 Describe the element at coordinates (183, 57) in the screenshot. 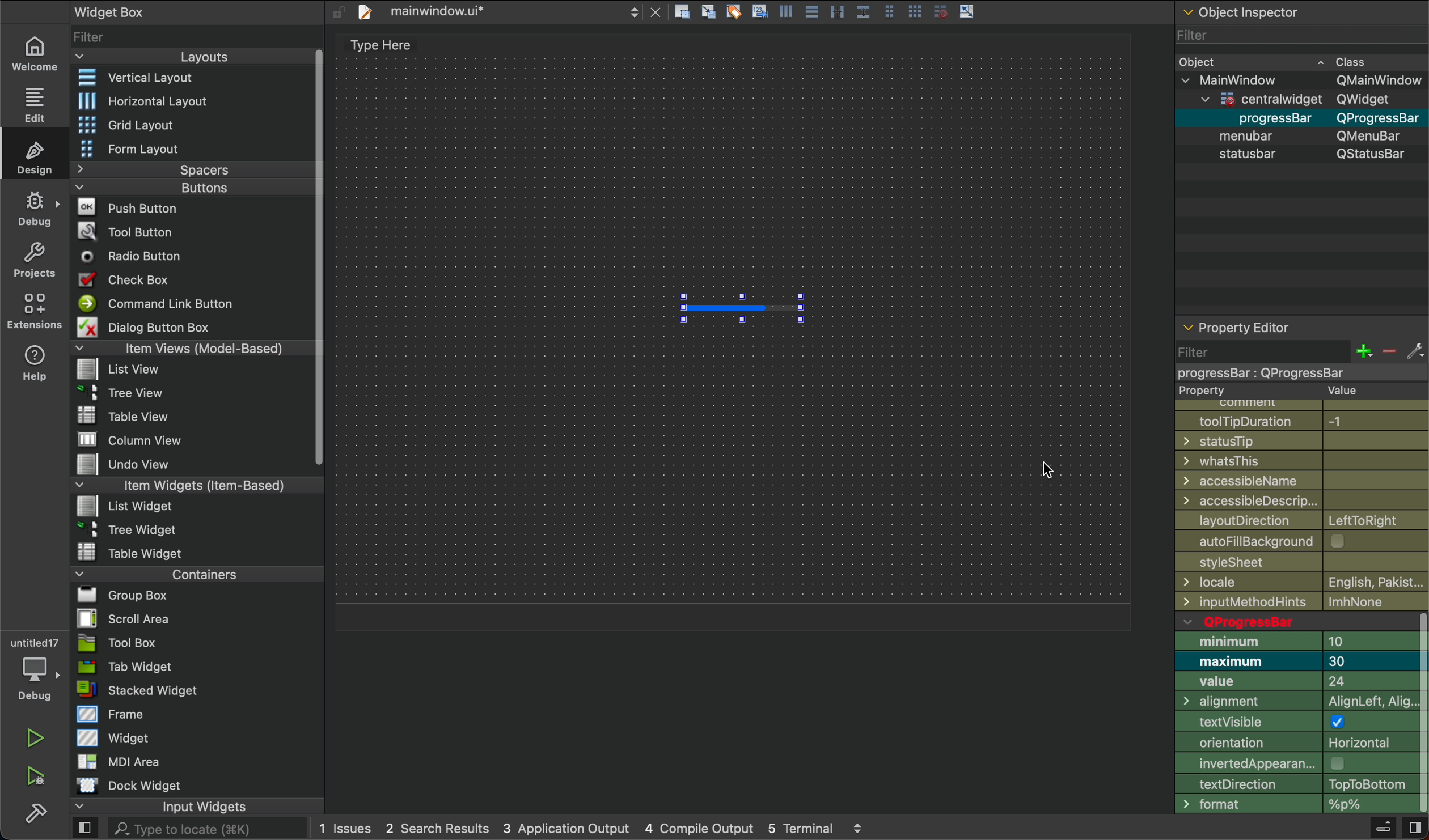

I see `Layout` at that location.